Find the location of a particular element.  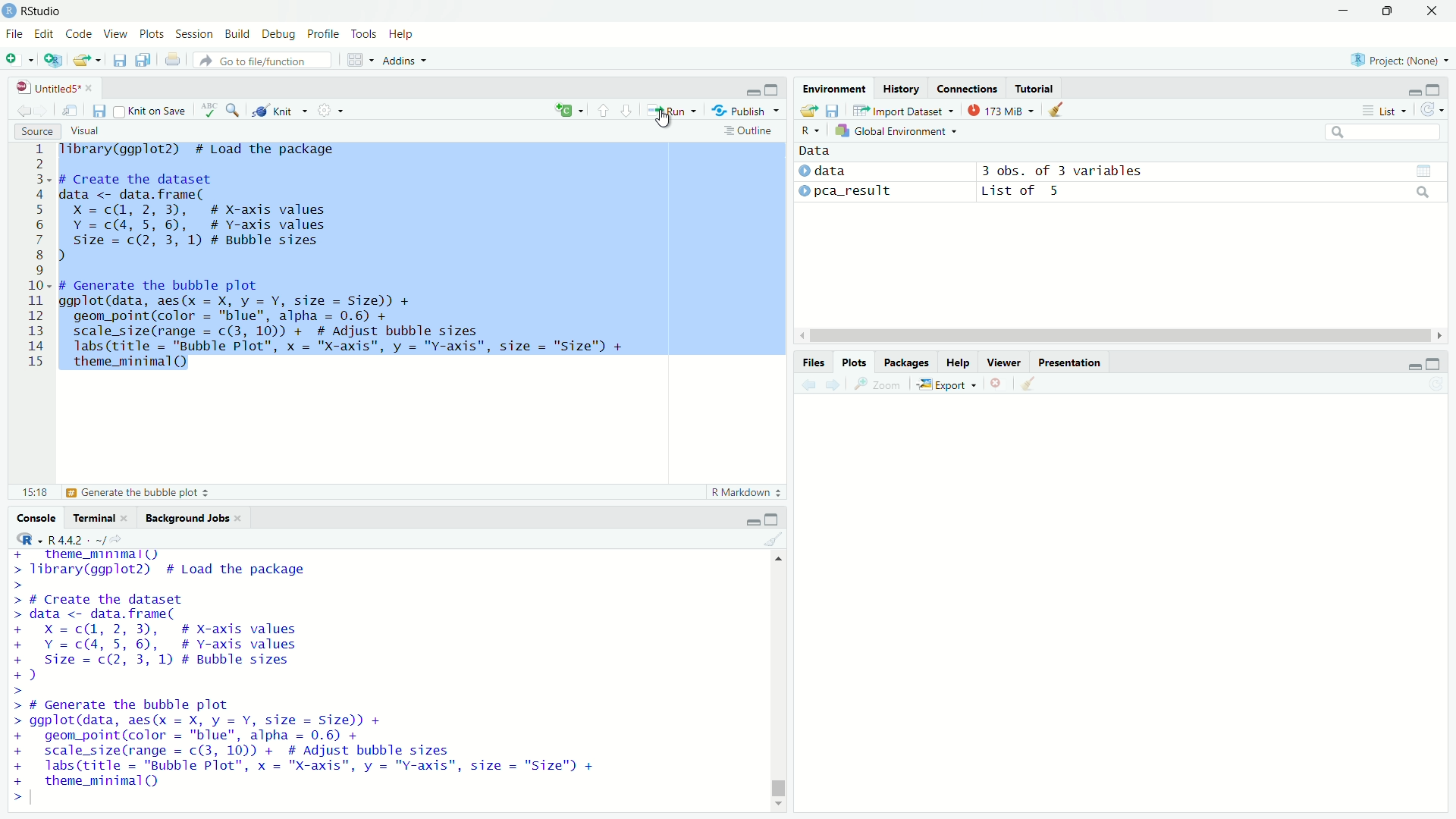

vertical scrollbar is located at coordinates (779, 784).